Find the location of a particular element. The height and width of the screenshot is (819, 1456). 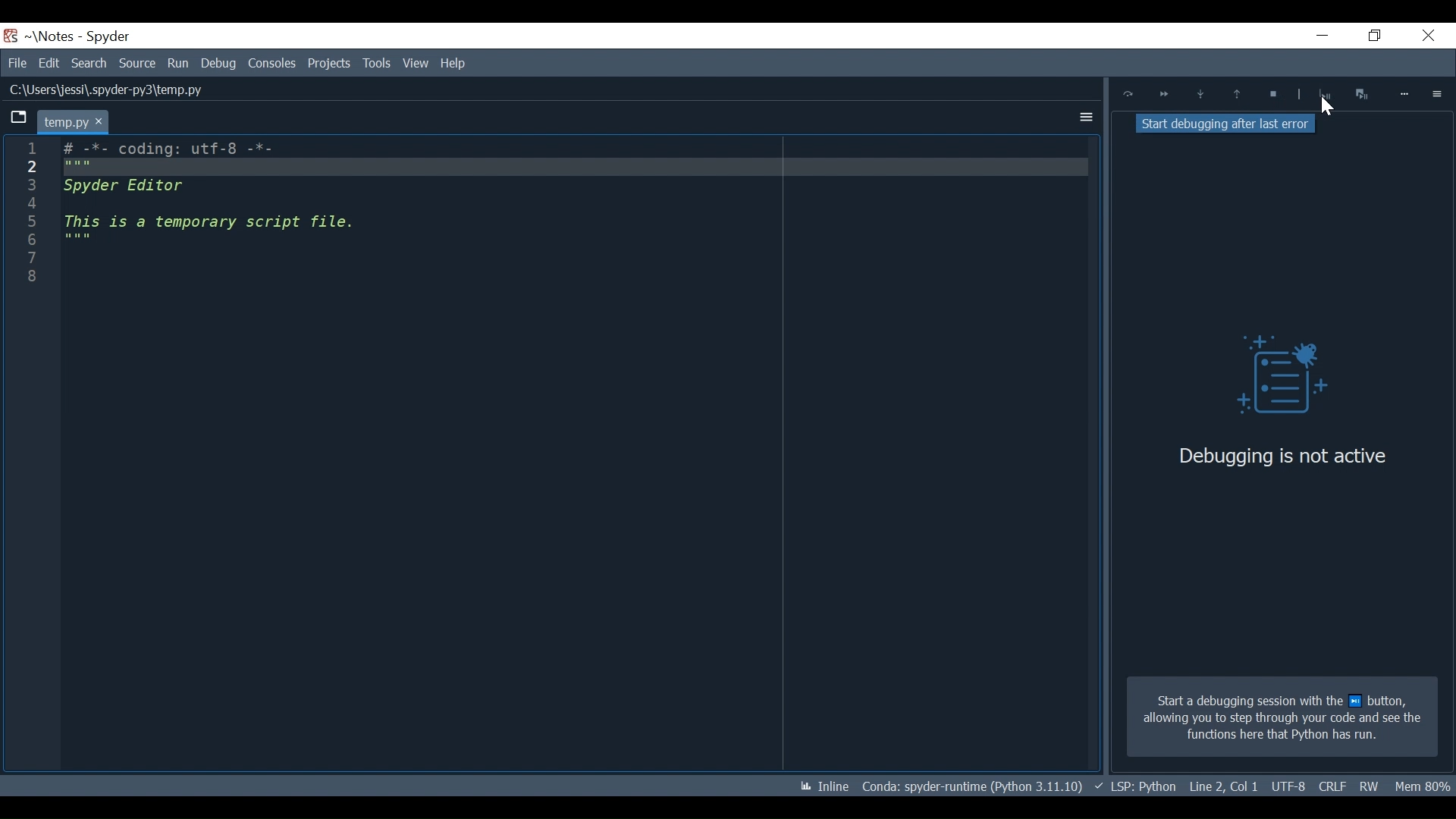

Debug is located at coordinates (218, 63).